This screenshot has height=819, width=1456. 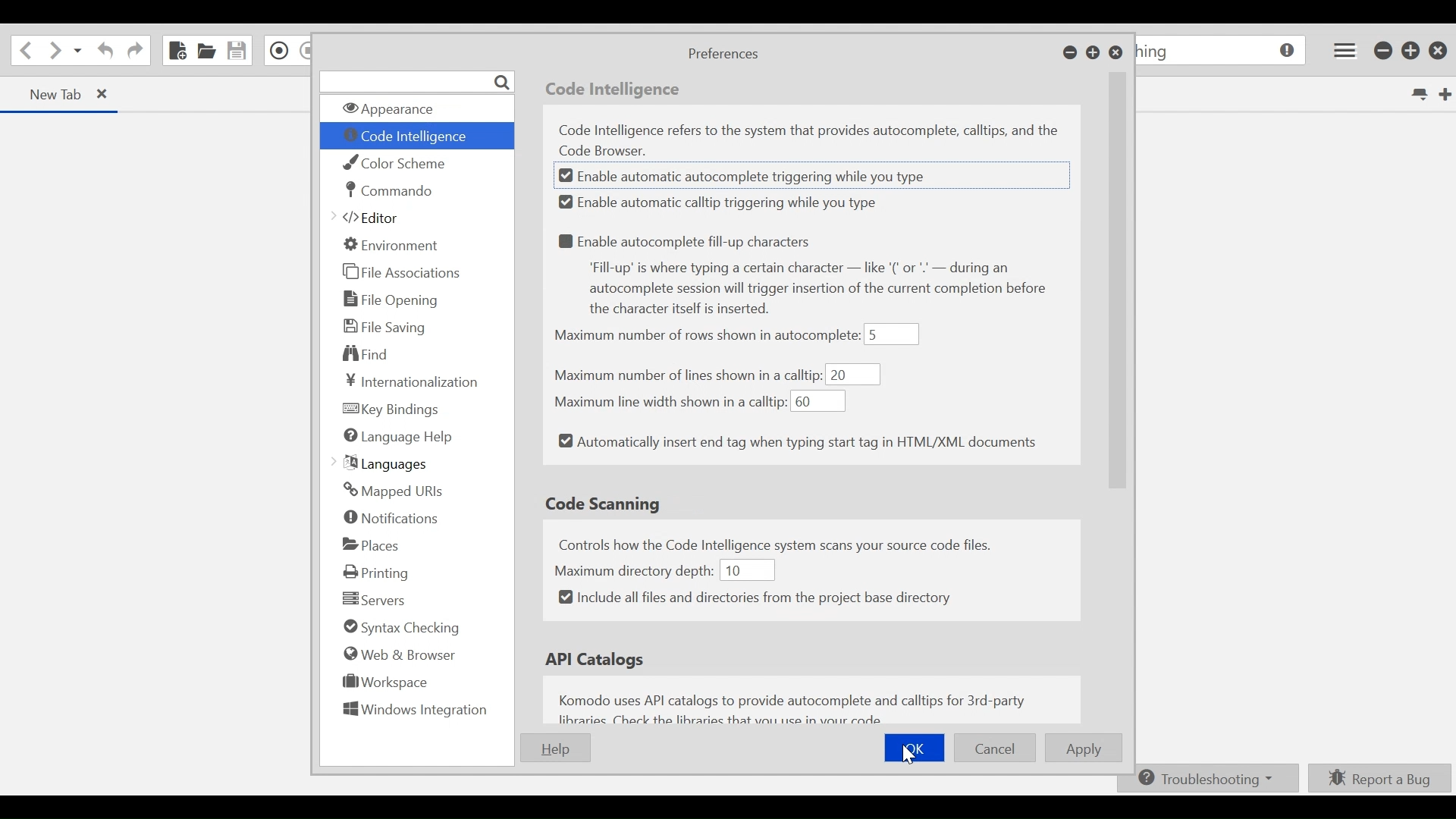 I want to click on Undo last action, so click(x=103, y=52).